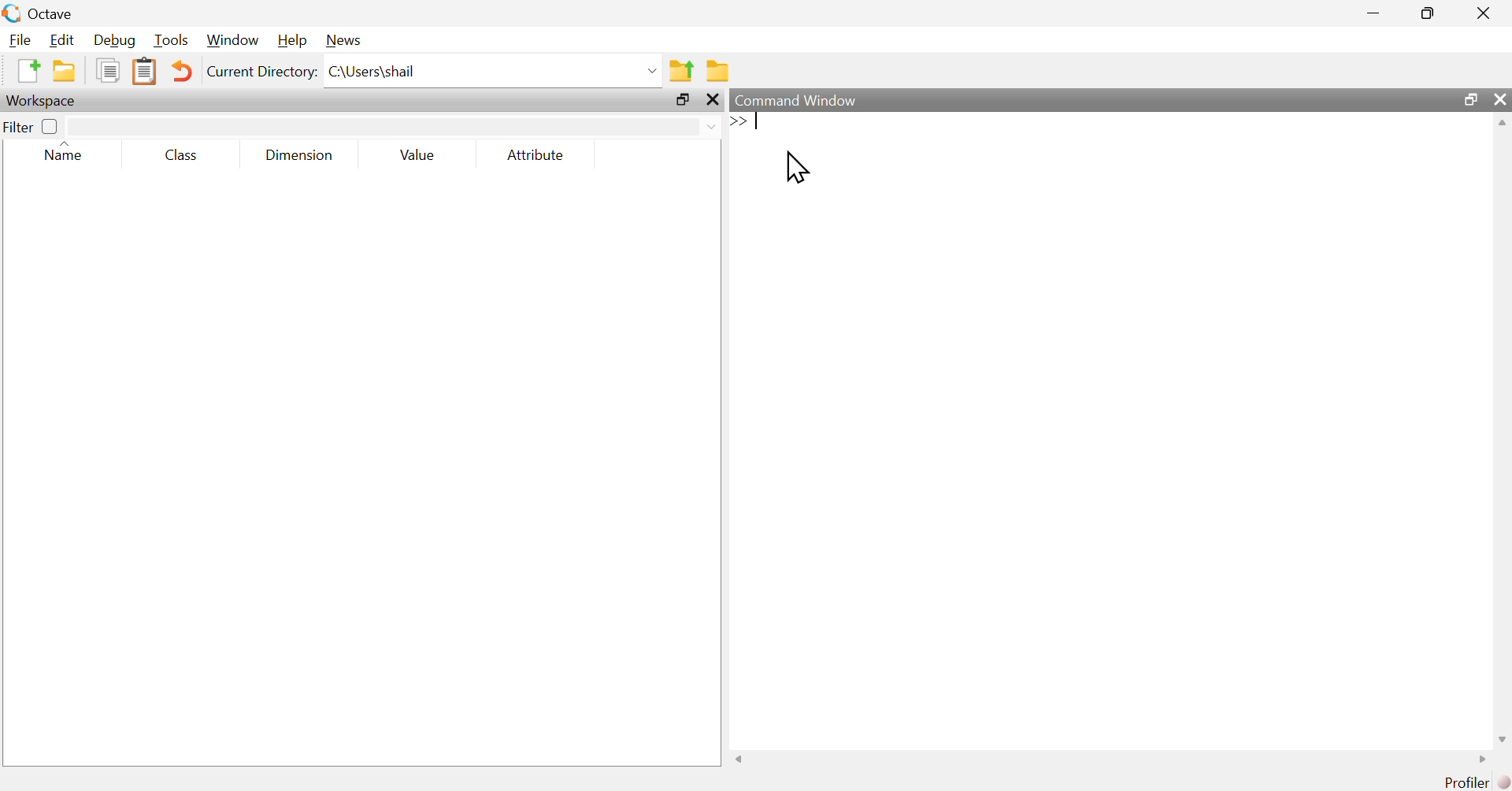 This screenshot has height=791, width=1512. I want to click on New script, so click(28, 71).